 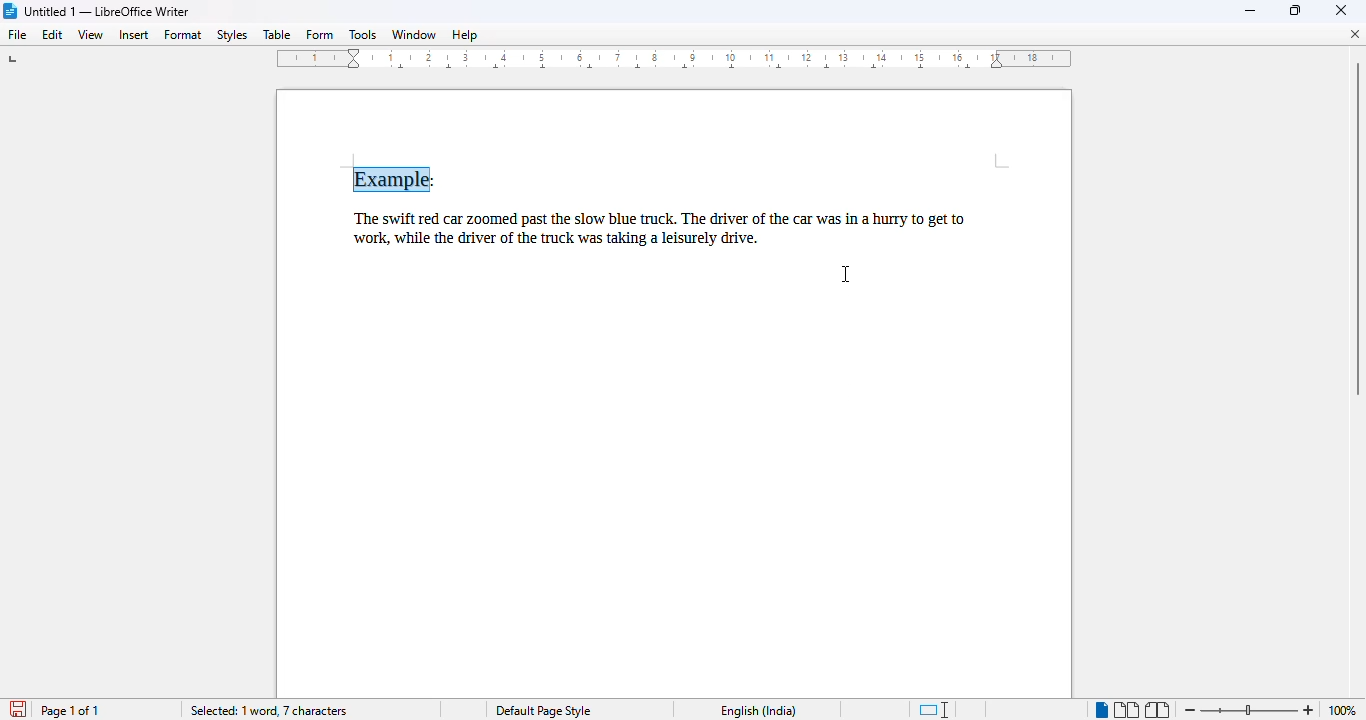 I want to click on Vertical scroll bar, so click(x=1357, y=229).